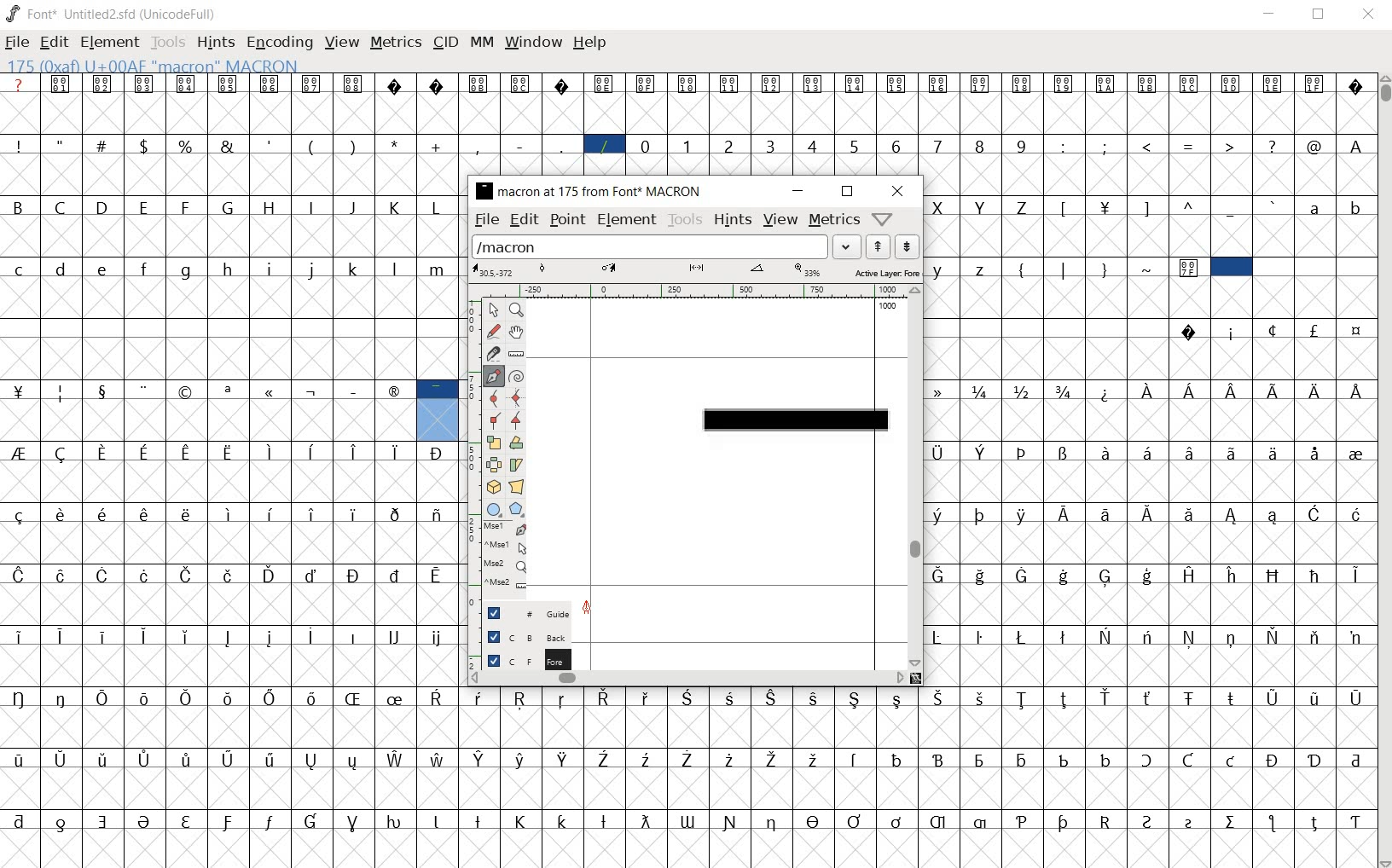 The image size is (1392, 868). What do you see at coordinates (646, 84) in the screenshot?
I see `Symbol` at bounding box center [646, 84].